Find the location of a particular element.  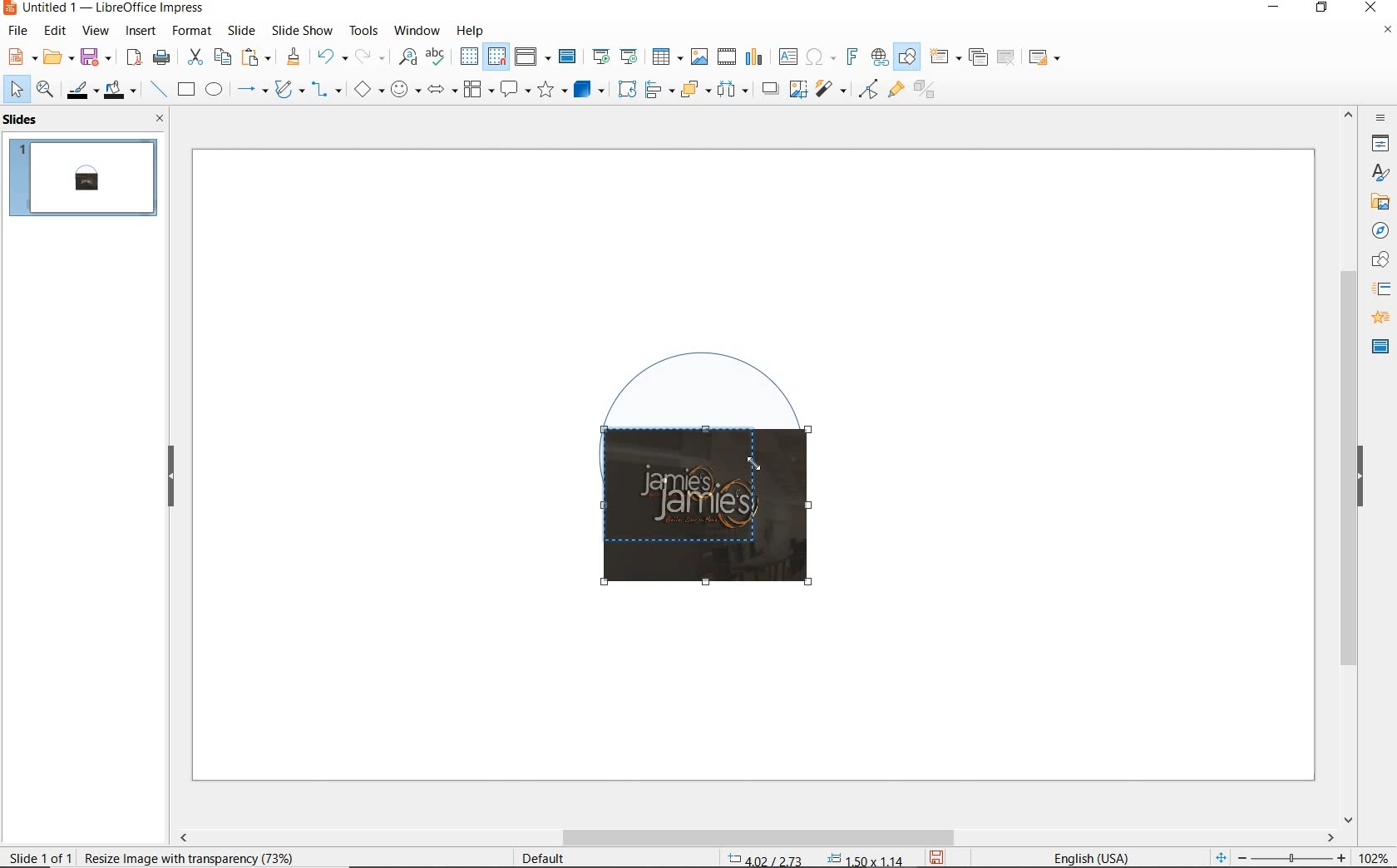

basic shapes is located at coordinates (368, 91).